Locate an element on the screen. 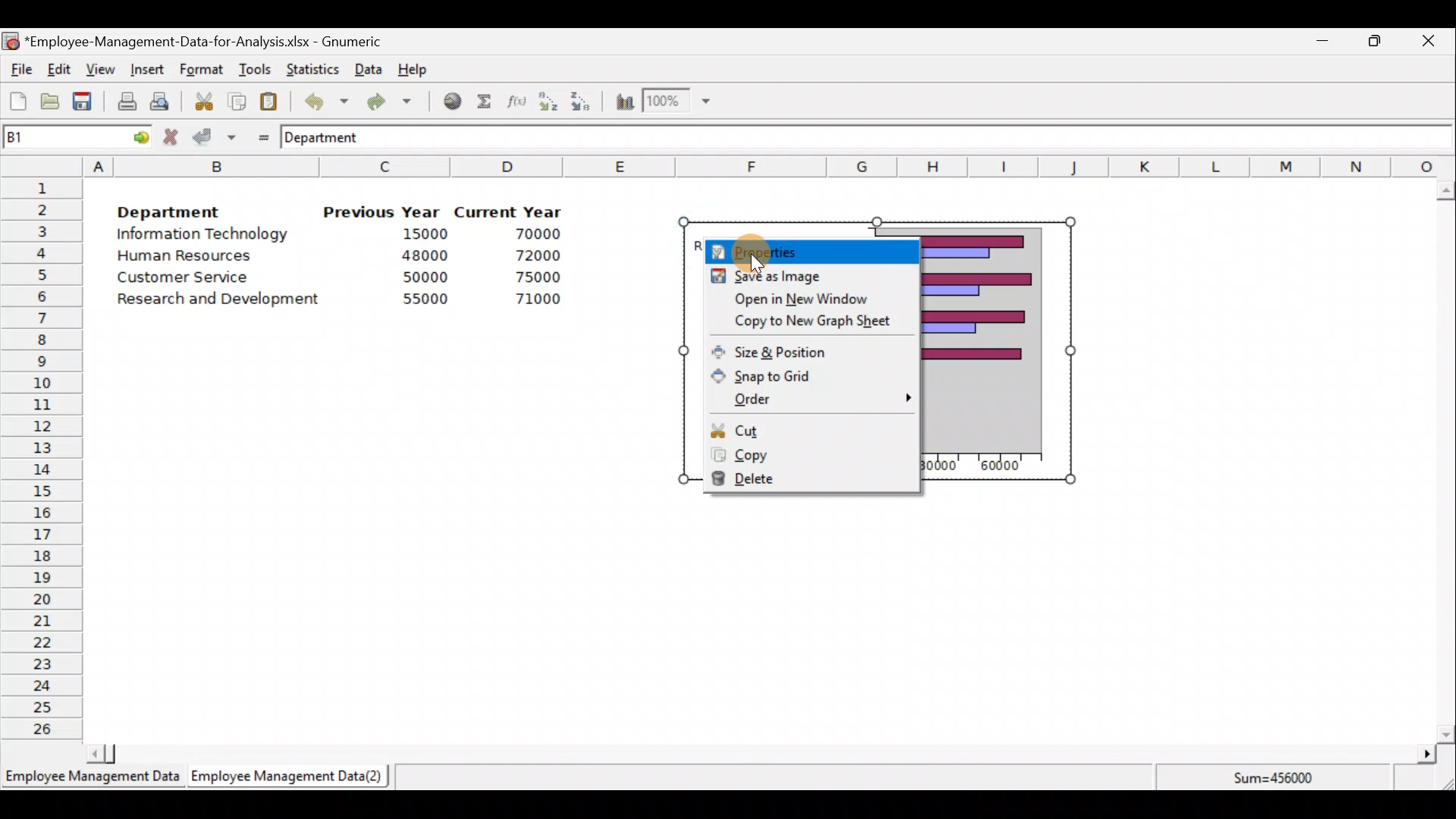  70000 is located at coordinates (532, 234).